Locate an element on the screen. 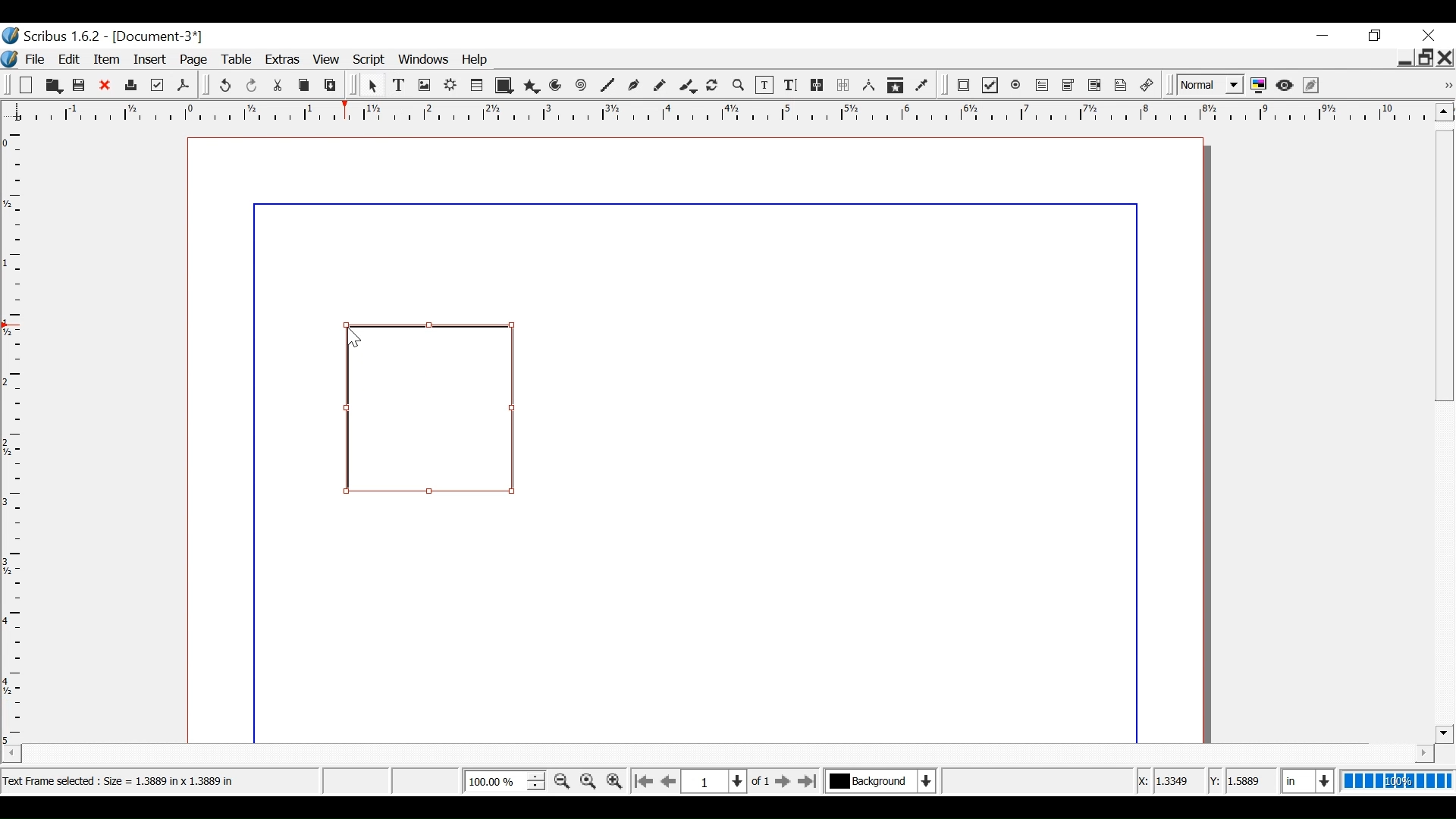 The height and width of the screenshot is (819, 1456). Edit in Preview mode is located at coordinates (1313, 85).